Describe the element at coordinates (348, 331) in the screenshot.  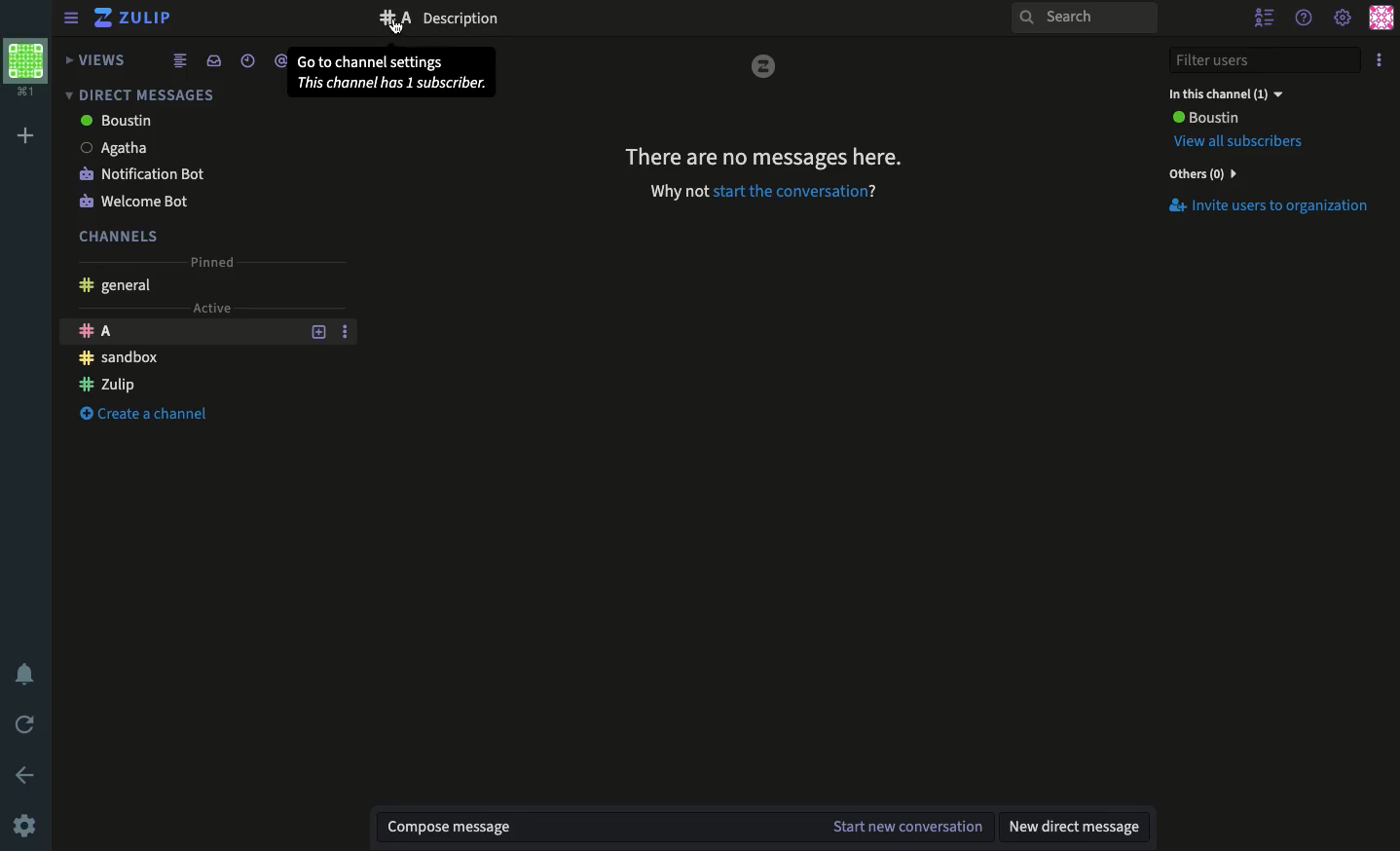
I see `options` at that location.